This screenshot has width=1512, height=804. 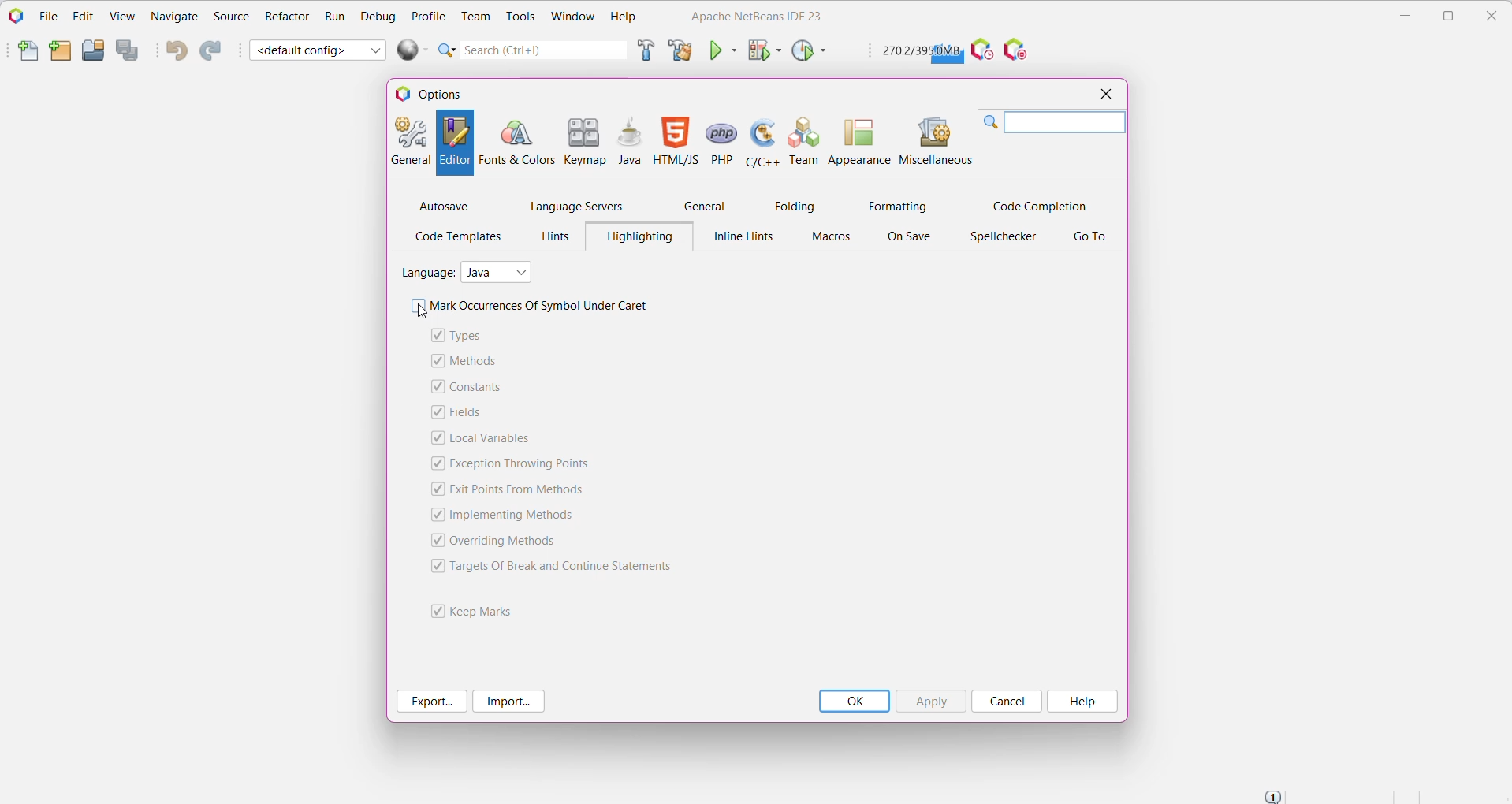 I want to click on Apache Netbeans IDE 23, so click(x=751, y=17).